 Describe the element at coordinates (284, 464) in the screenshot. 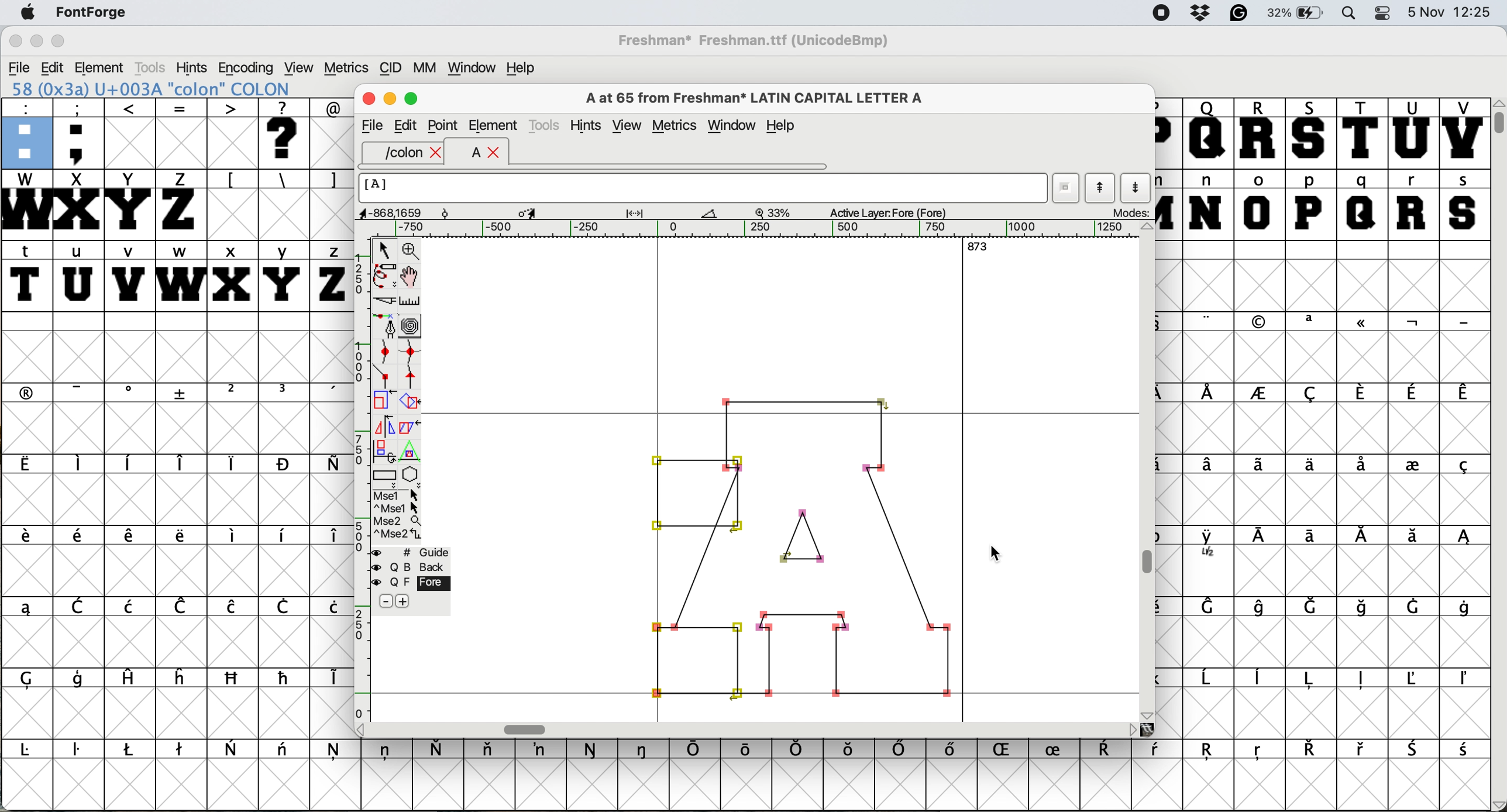

I see `symbol` at that location.